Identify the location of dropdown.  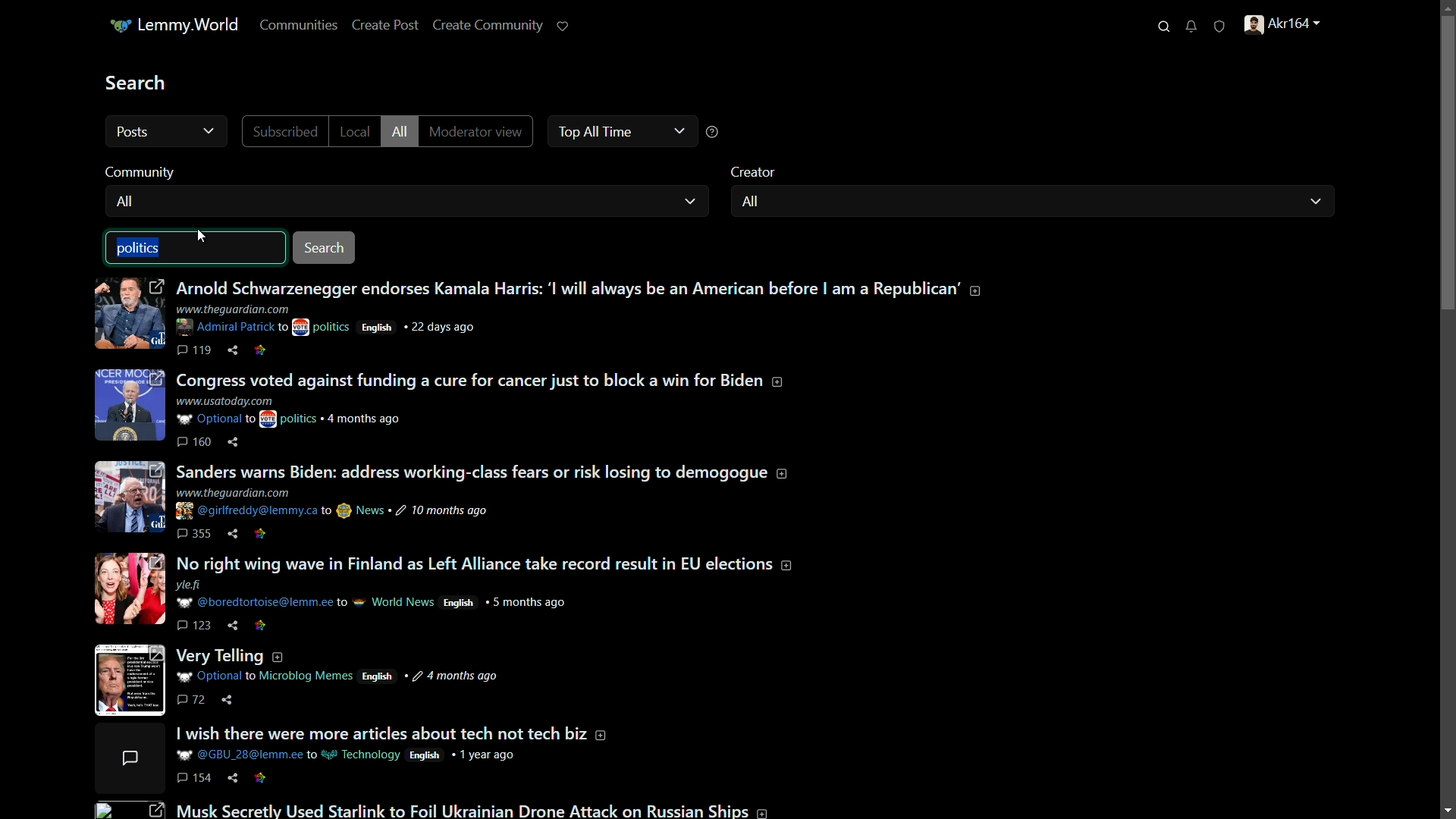
(1323, 202).